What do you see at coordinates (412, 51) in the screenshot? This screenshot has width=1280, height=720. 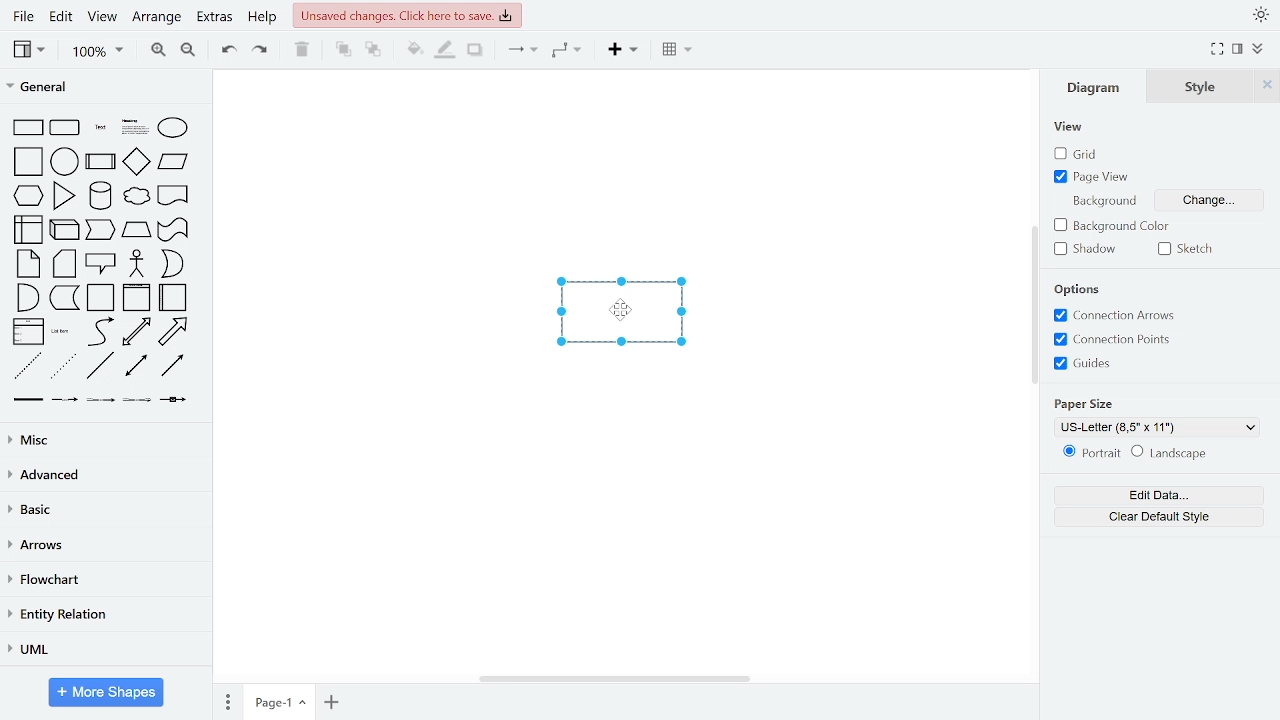 I see `fill color` at bounding box center [412, 51].